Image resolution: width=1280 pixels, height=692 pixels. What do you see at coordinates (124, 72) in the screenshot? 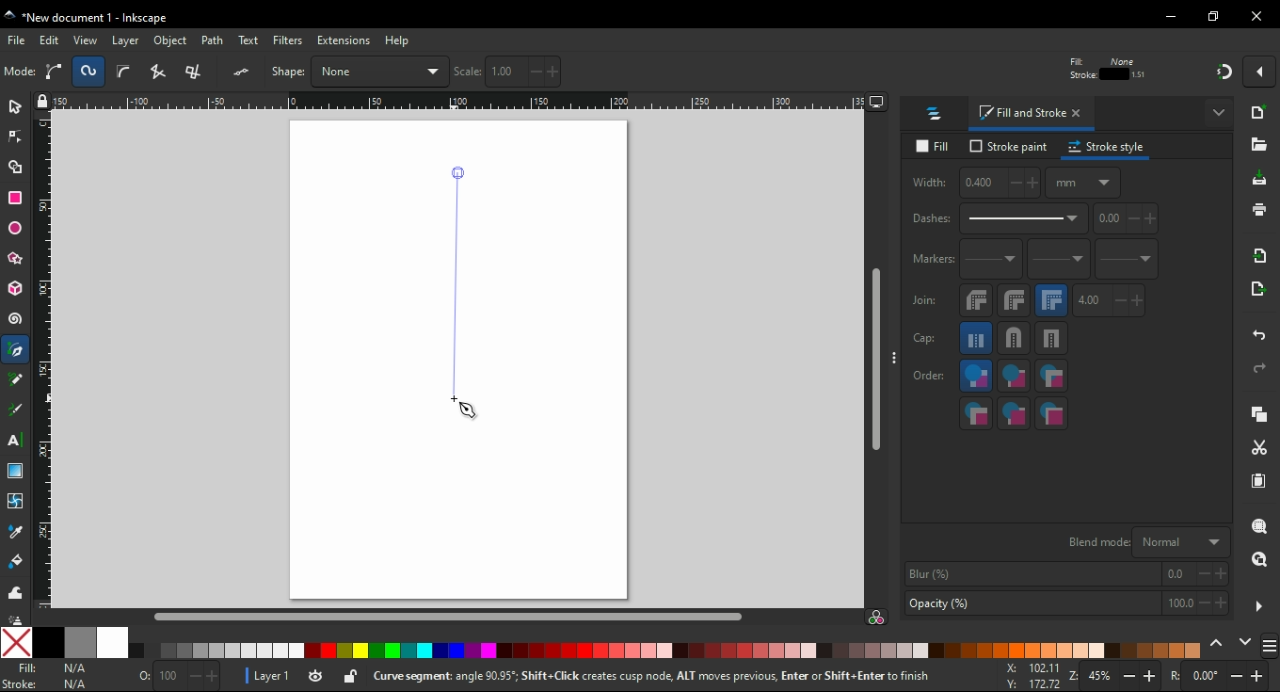
I see `toggle selection box to select all touched objects ` at bounding box center [124, 72].